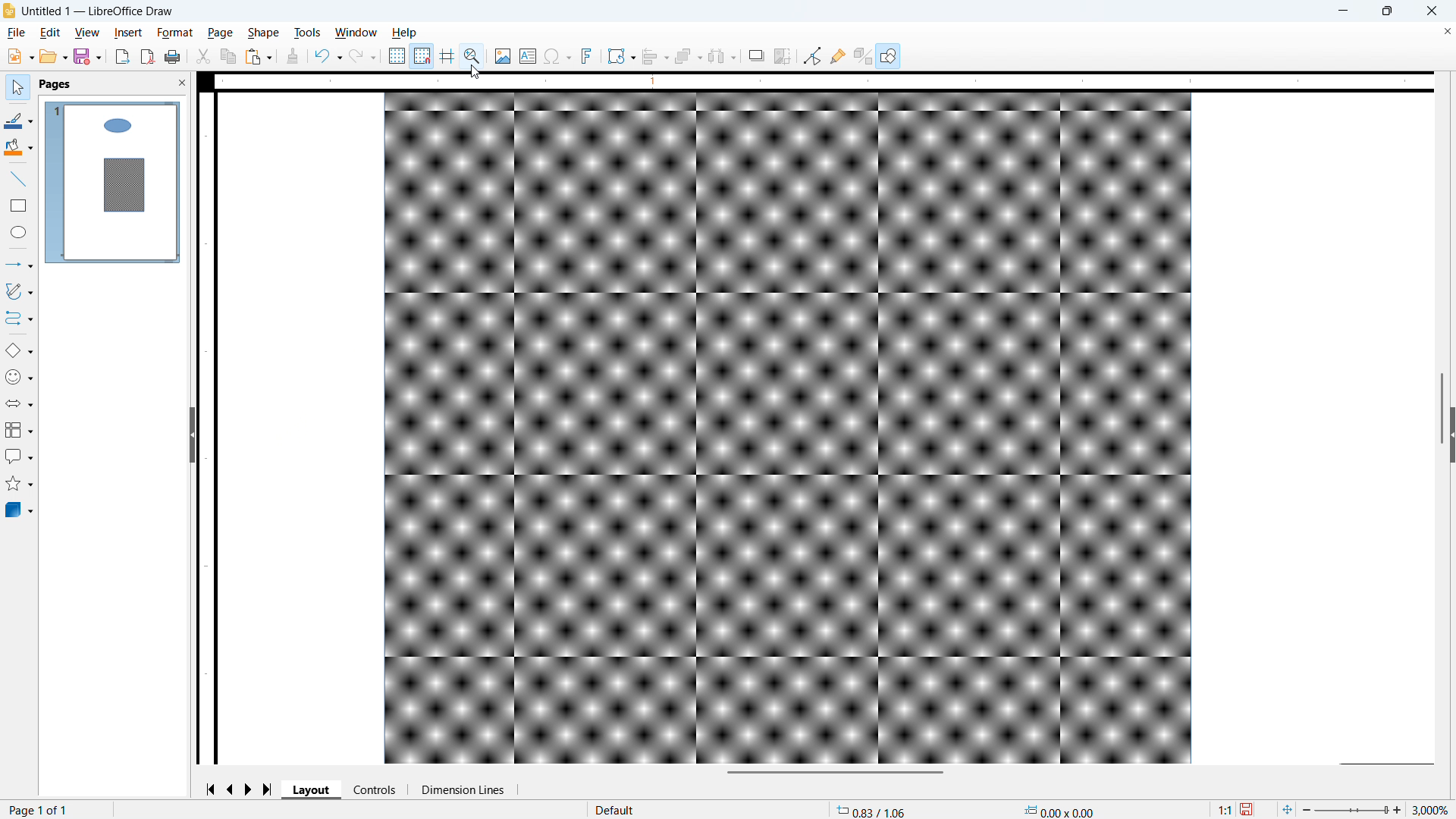 Image resolution: width=1456 pixels, height=819 pixels. Describe the element at coordinates (888, 55) in the screenshot. I see `Show draw functions ` at that location.